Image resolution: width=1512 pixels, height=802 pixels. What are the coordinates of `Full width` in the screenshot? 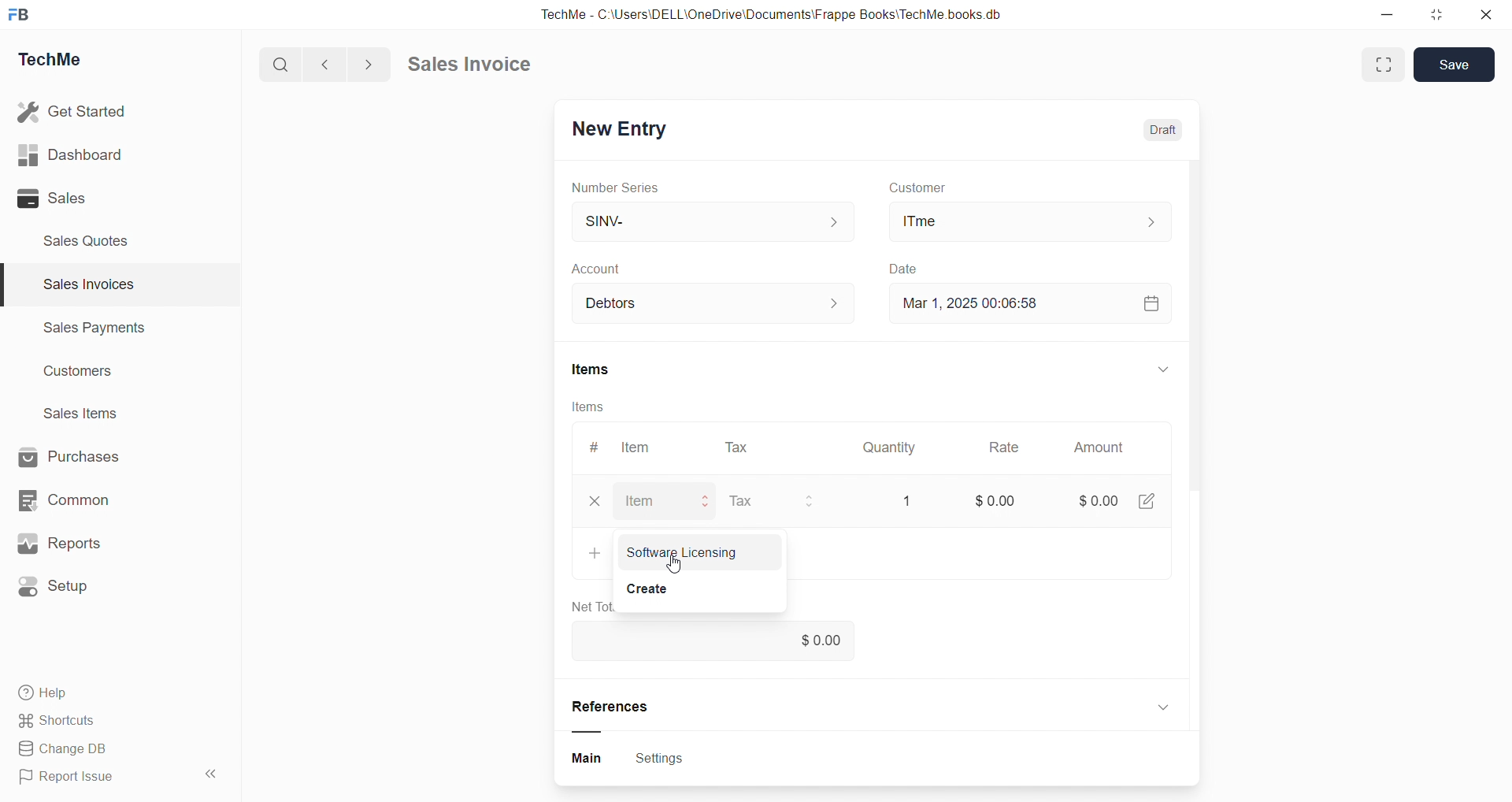 It's located at (1381, 64).